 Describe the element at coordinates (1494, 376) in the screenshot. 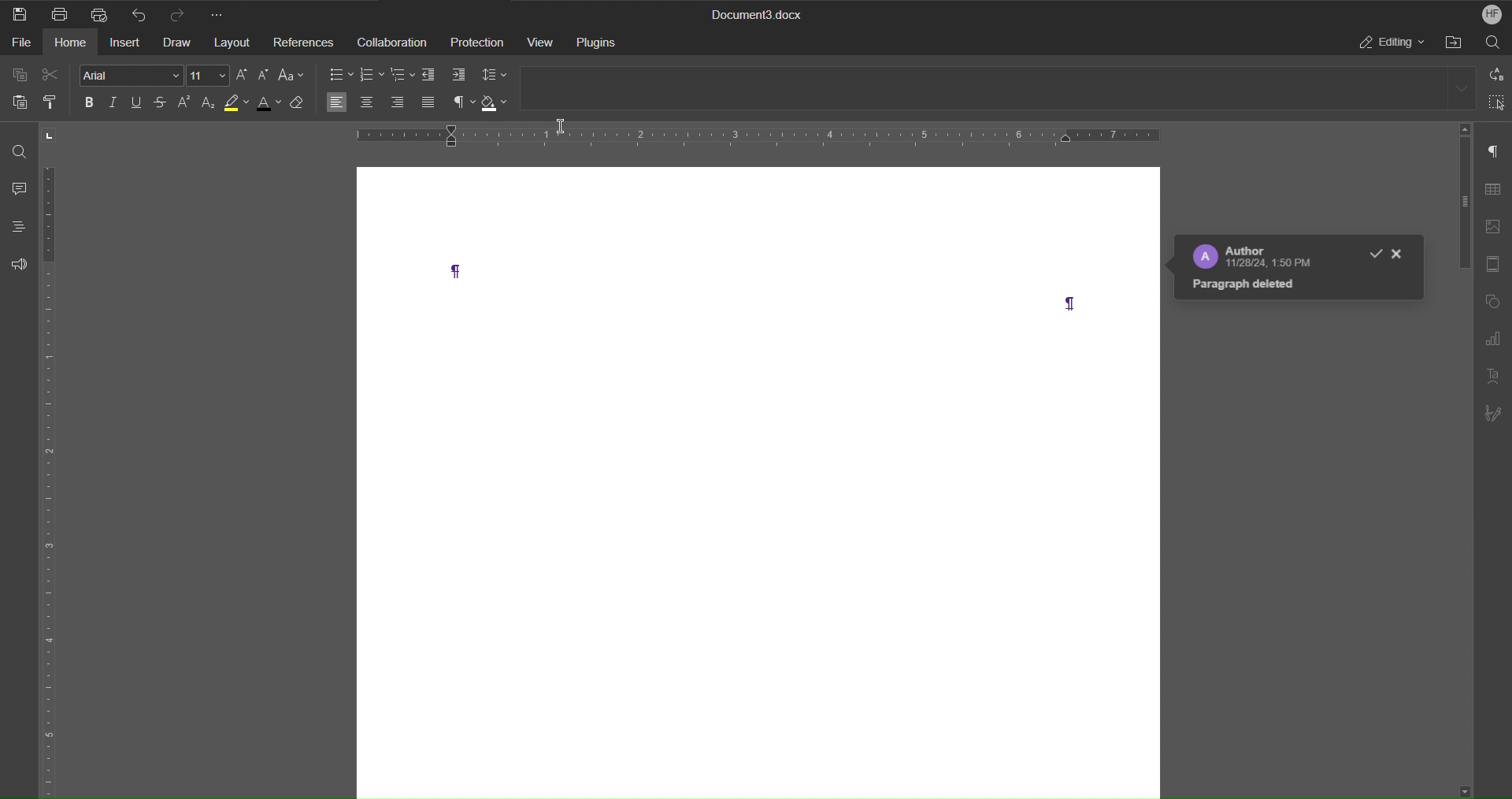

I see `Text Art` at that location.